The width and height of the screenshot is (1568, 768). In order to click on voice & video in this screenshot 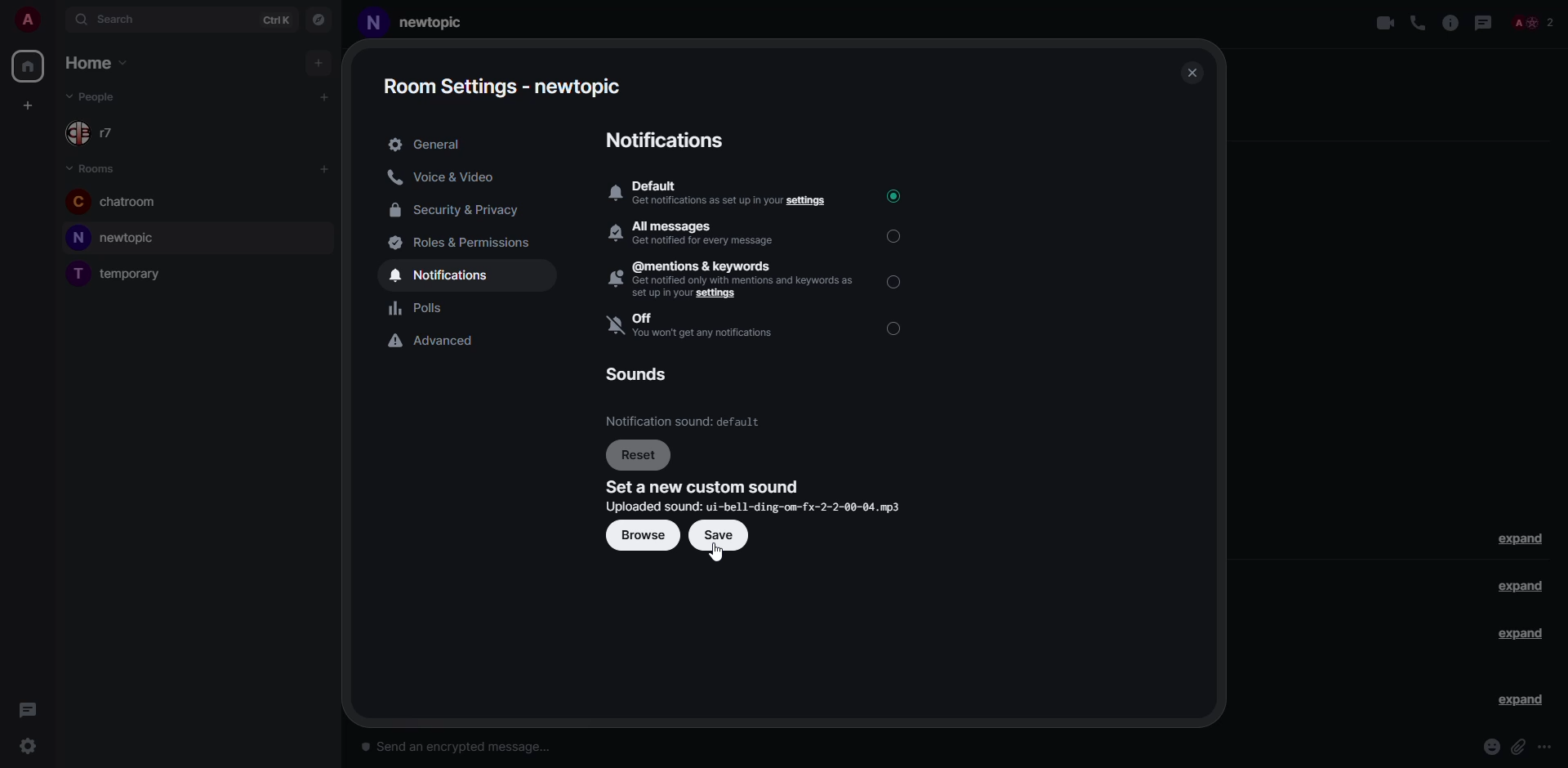, I will do `click(447, 176)`.